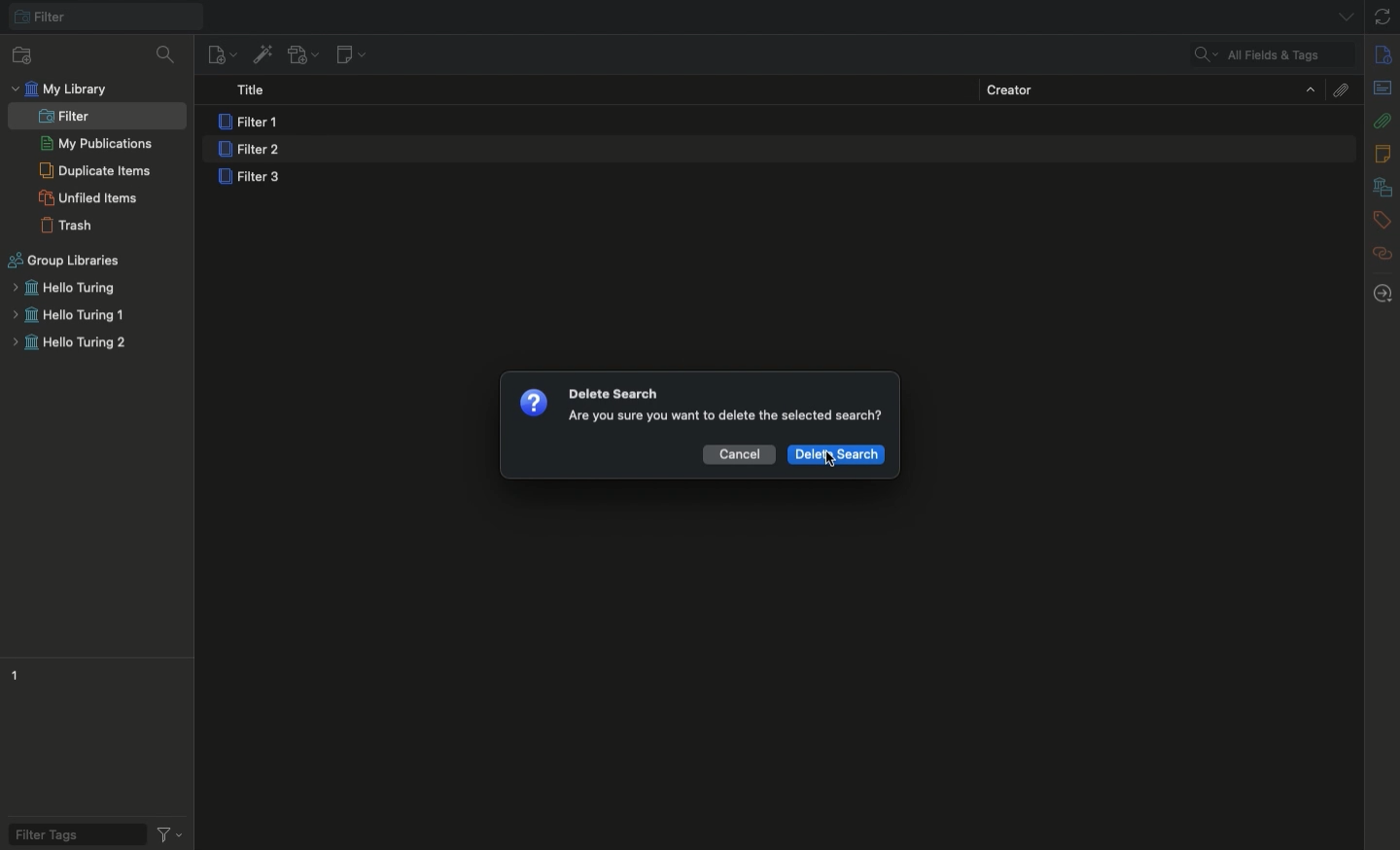 This screenshot has height=850, width=1400. I want to click on Hello turing, so click(62, 288).